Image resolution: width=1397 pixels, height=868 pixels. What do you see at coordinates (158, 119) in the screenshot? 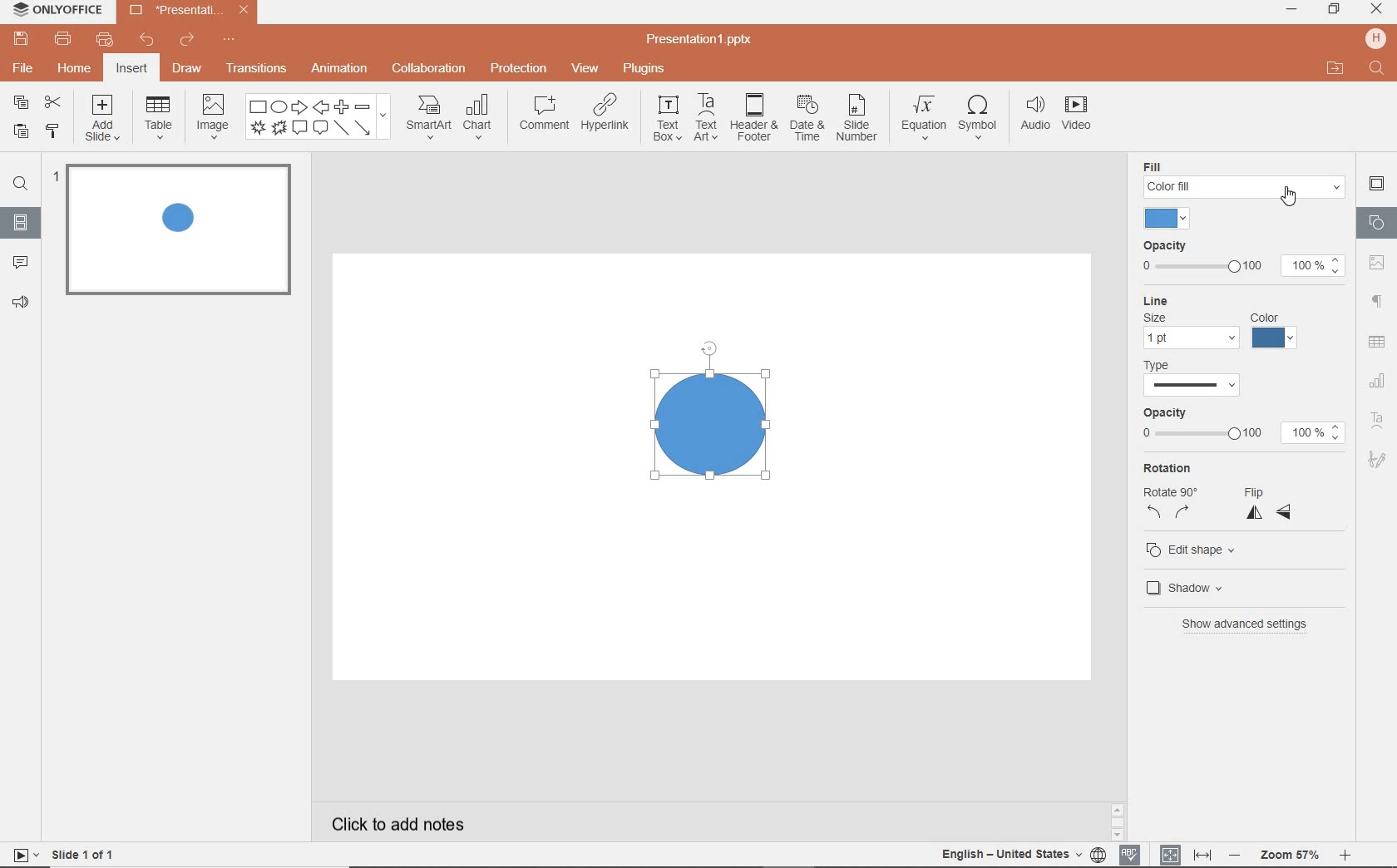
I see `table` at bounding box center [158, 119].